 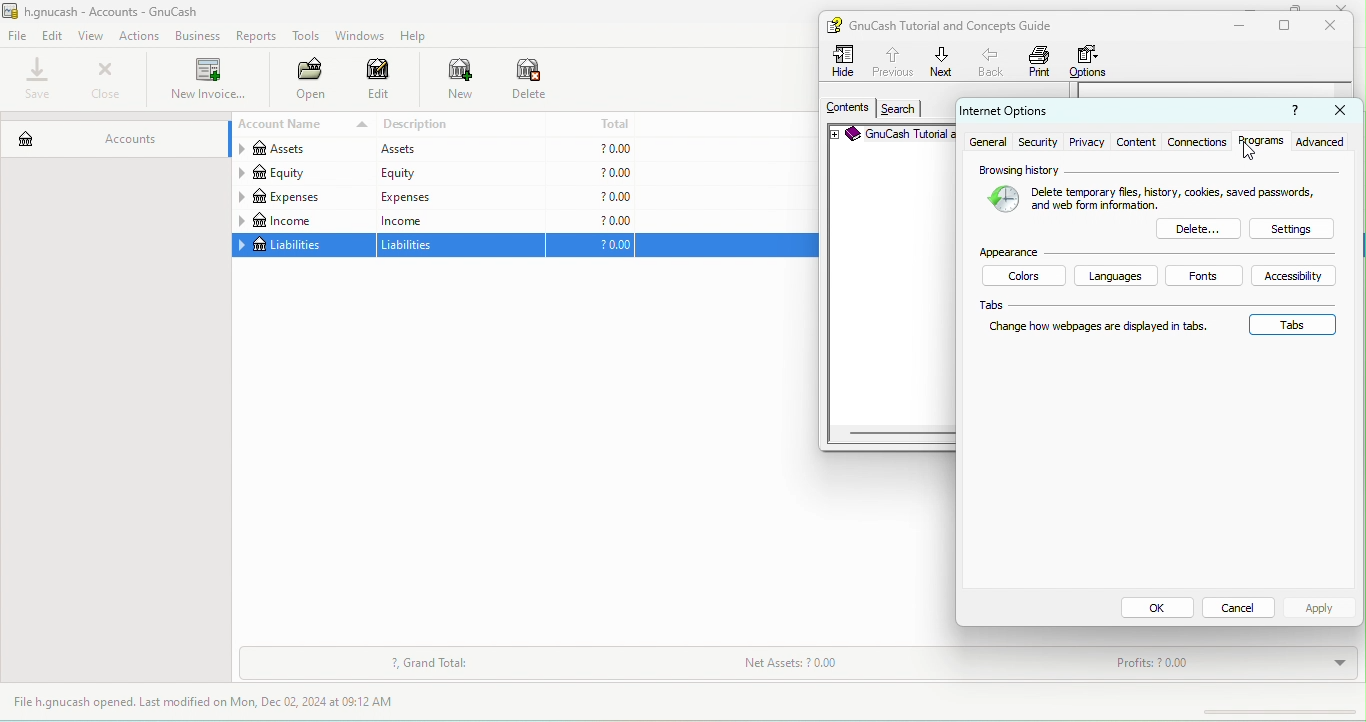 What do you see at coordinates (458, 173) in the screenshot?
I see `equity` at bounding box center [458, 173].